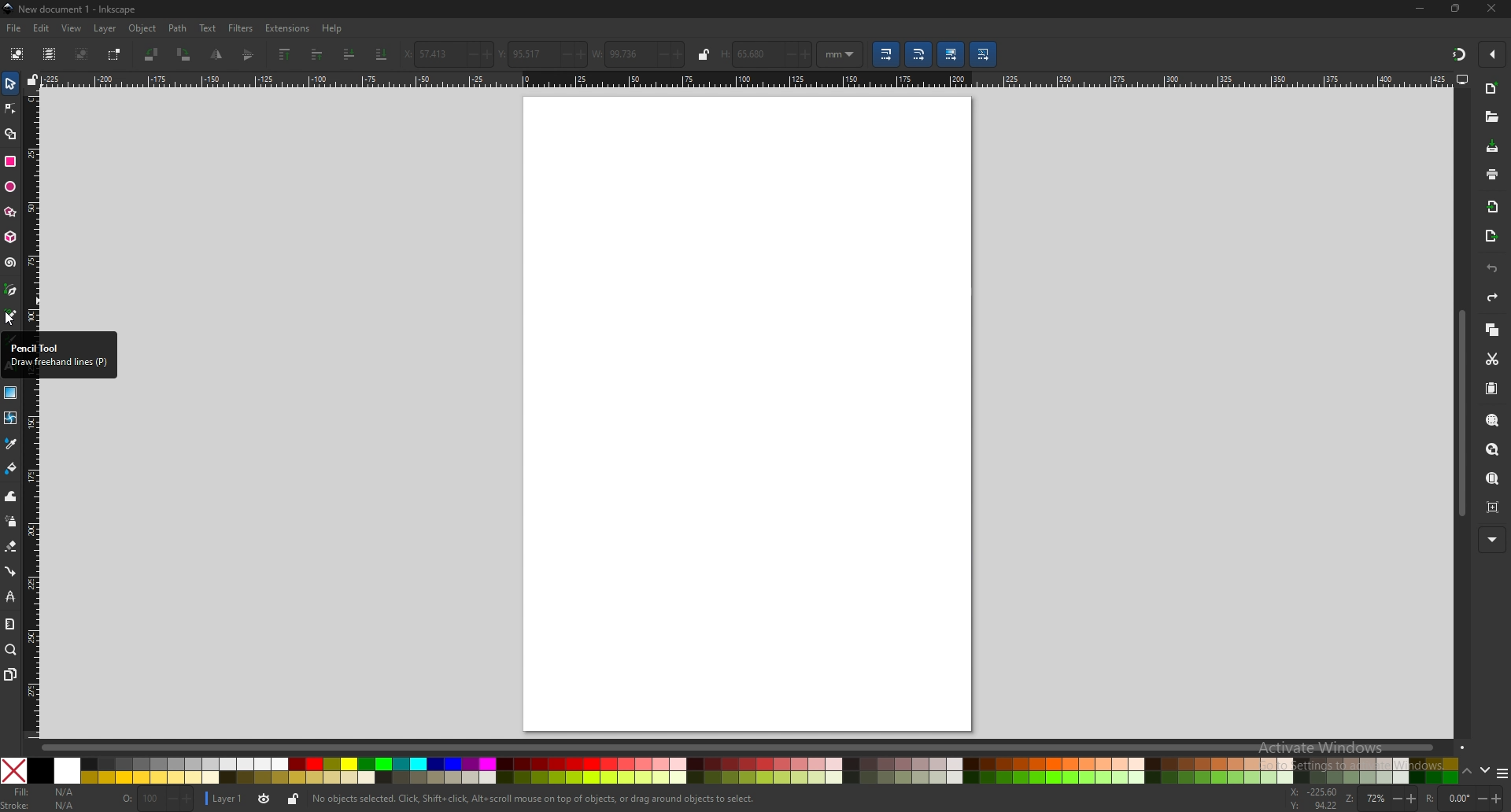  Describe the element at coordinates (10, 262) in the screenshot. I see `spiral` at that location.